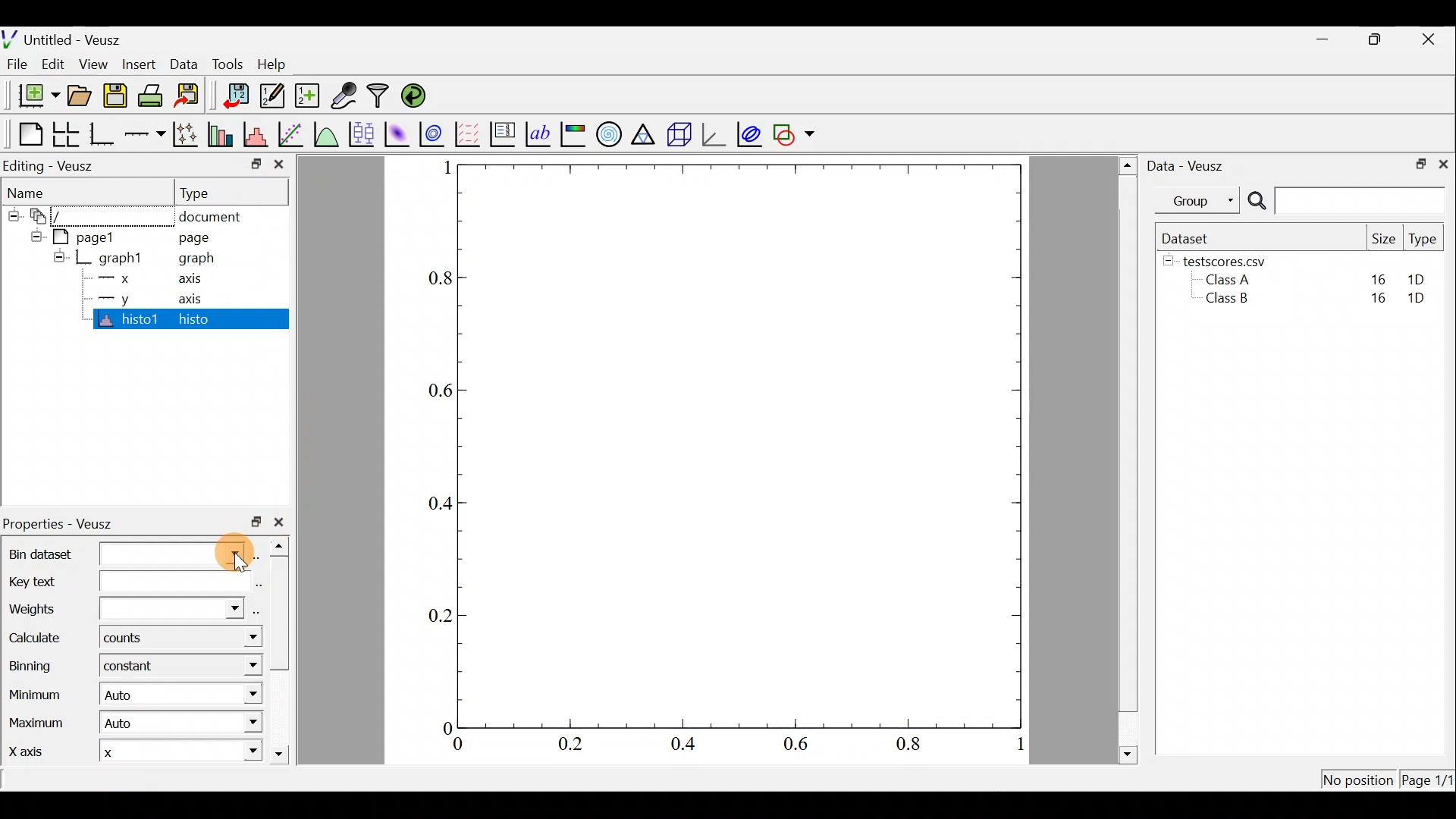 This screenshot has height=819, width=1456. Describe the element at coordinates (435, 278) in the screenshot. I see `0.8` at that location.